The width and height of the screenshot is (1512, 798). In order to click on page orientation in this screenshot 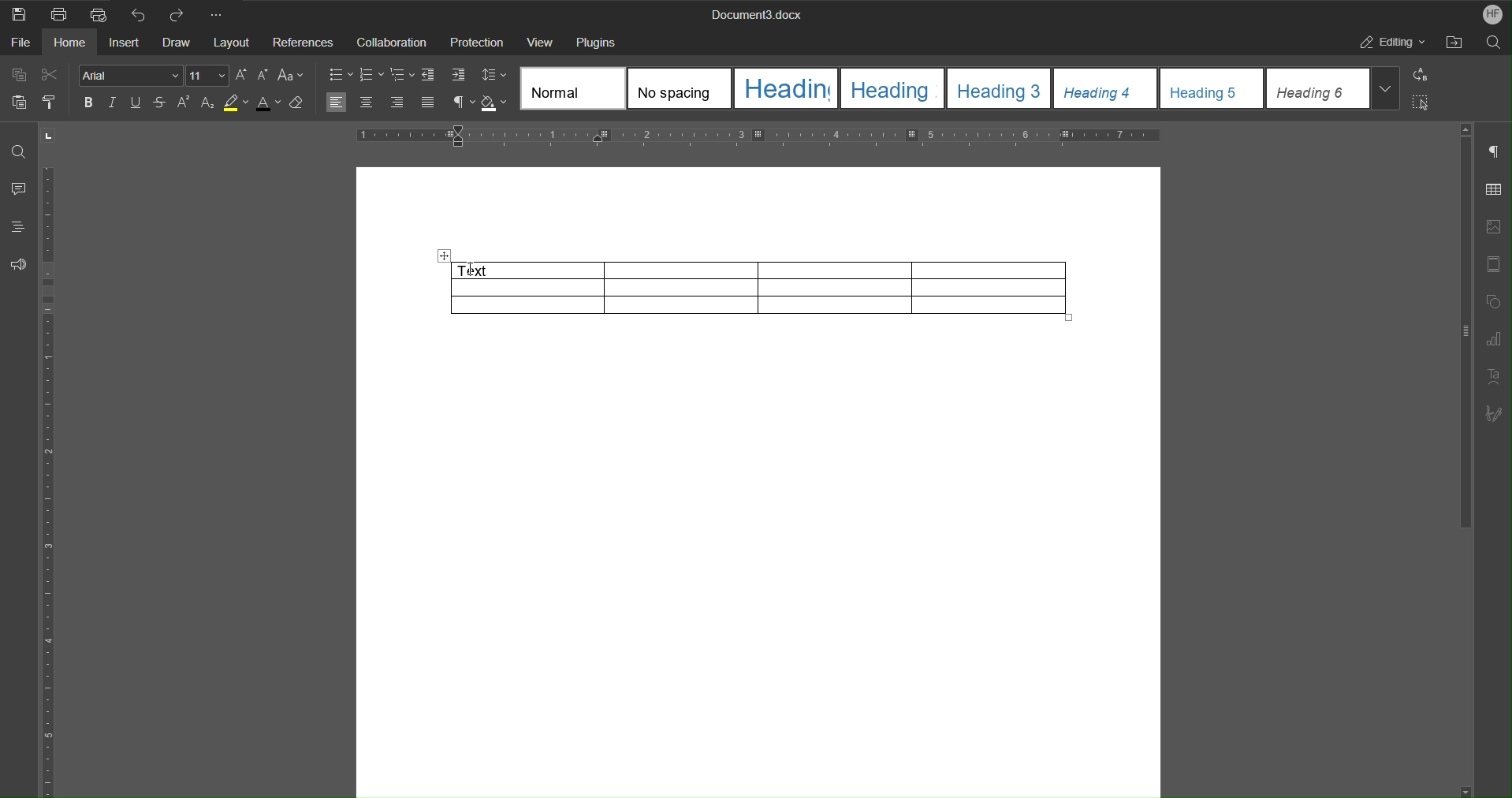, I will do `click(48, 136)`.